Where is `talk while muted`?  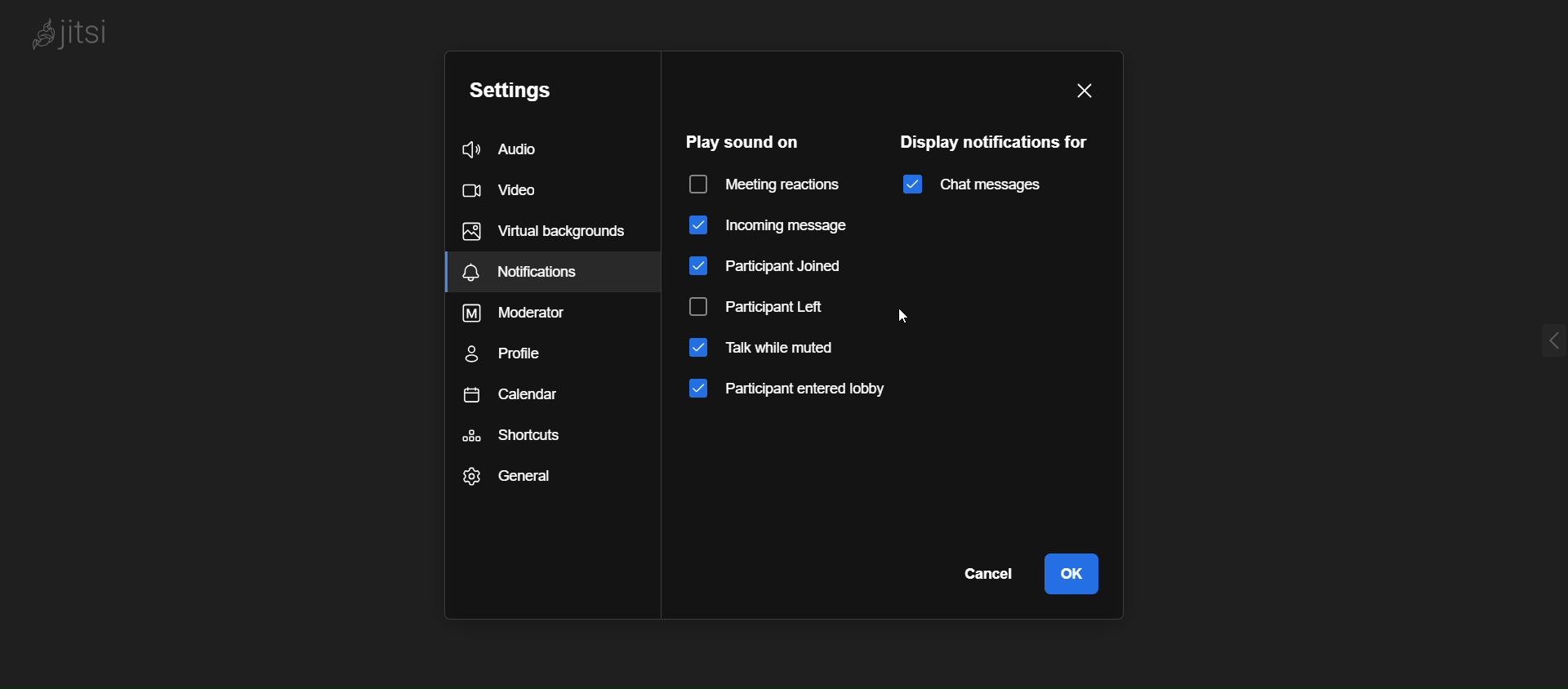 talk while muted is located at coordinates (772, 349).